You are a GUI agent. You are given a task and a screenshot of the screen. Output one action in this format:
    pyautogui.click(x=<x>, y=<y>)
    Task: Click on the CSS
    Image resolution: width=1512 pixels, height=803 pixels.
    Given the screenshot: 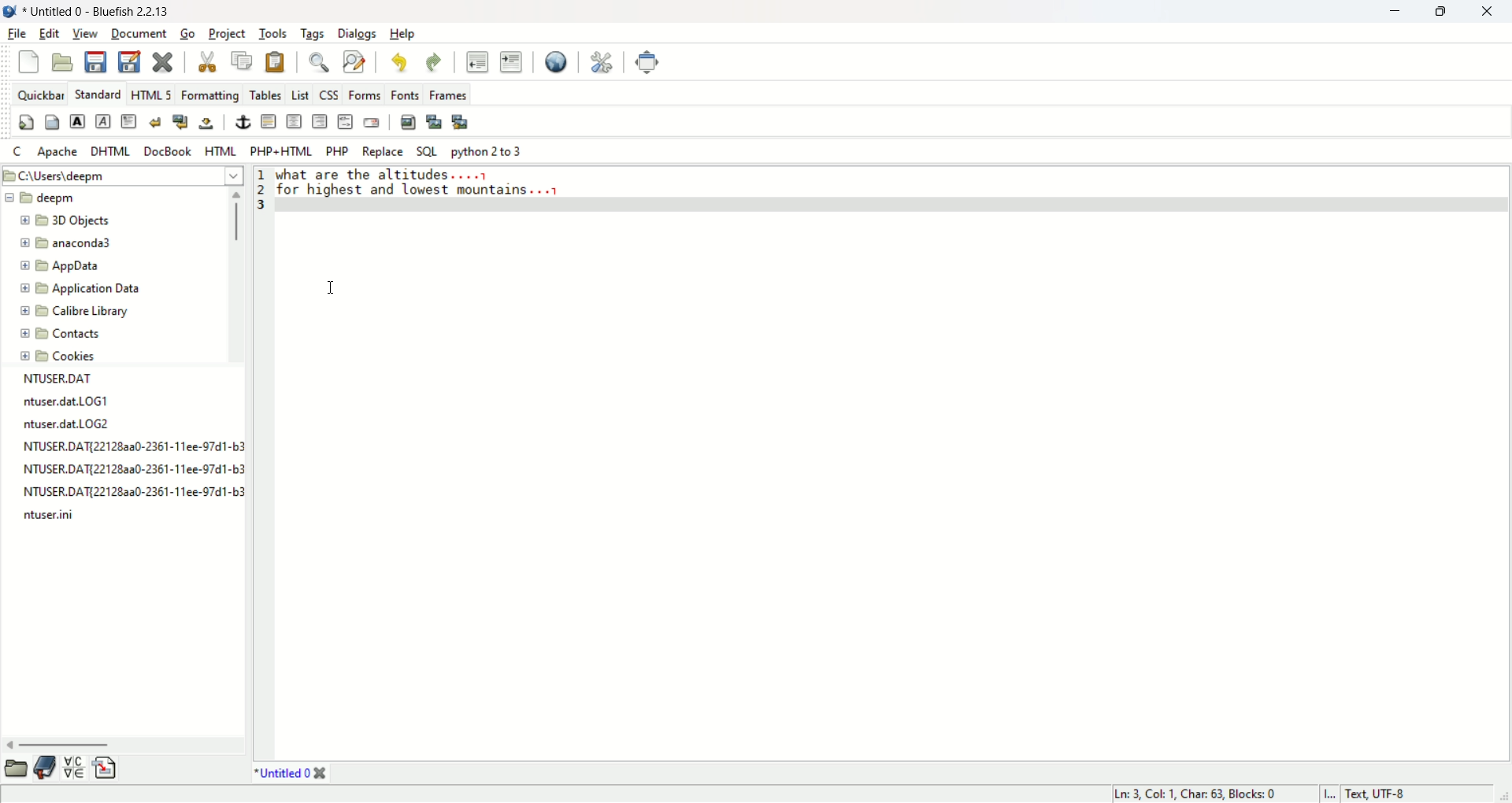 What is the action you would take?
    pyautogui.click(x=328, y=92)
    